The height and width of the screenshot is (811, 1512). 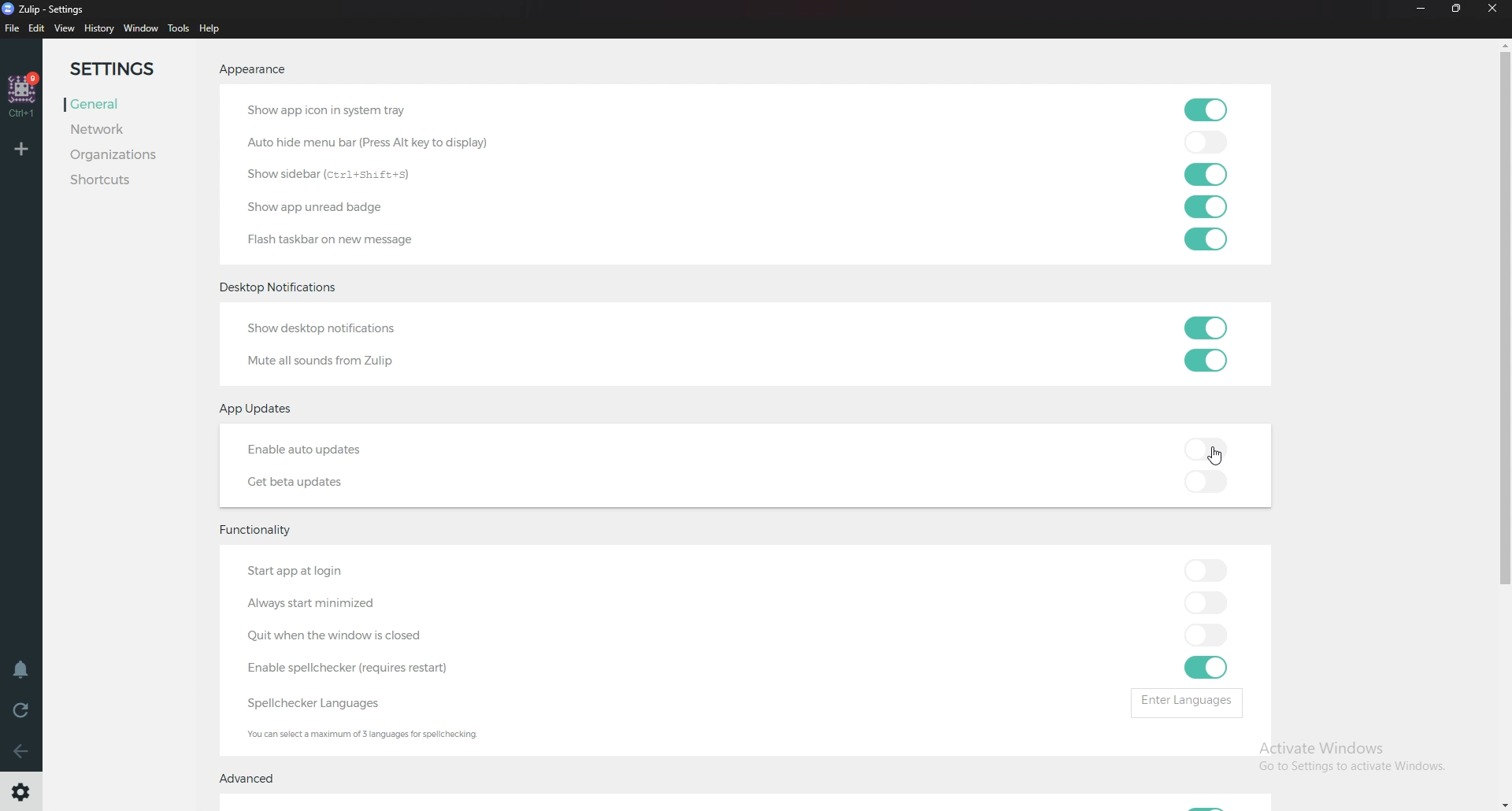 What do you see at coordinates (320, 604) in the screenshot?
I see `Always start minimized` at bounding box center [320, 604].